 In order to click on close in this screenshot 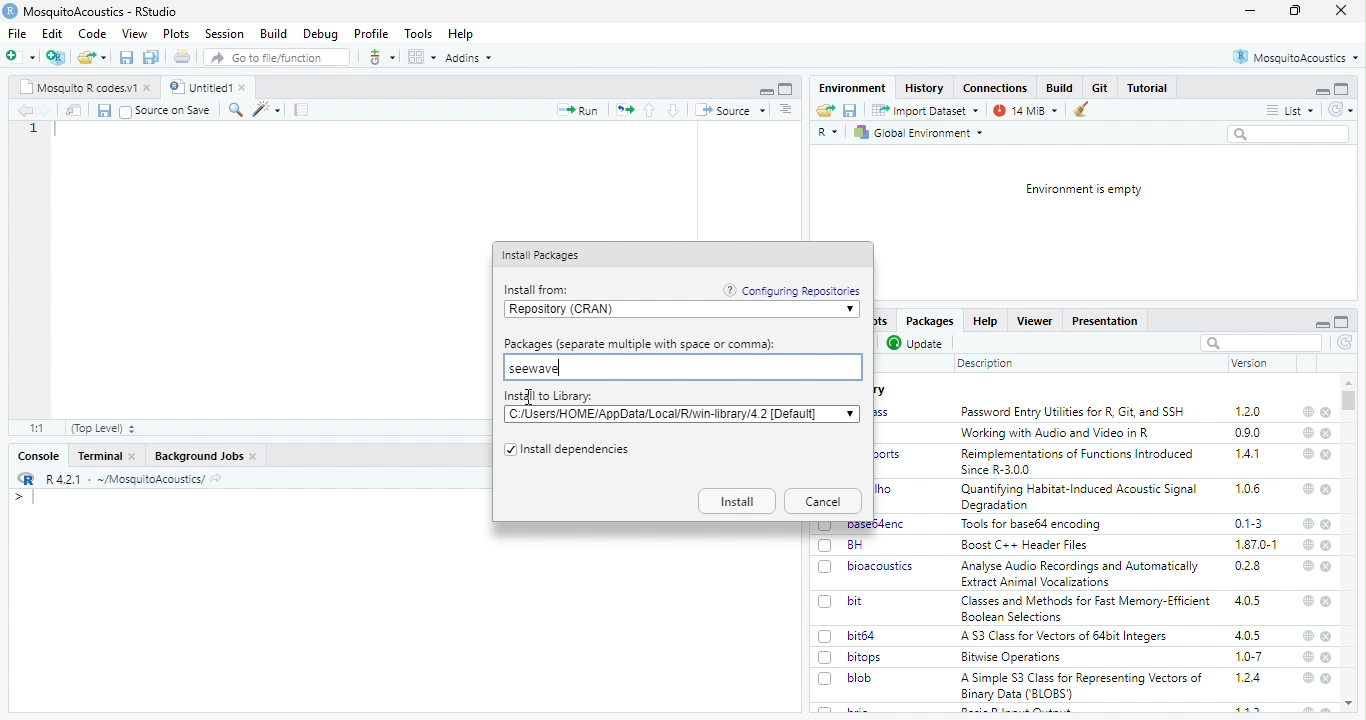, I will do `click(1327, 637)`.